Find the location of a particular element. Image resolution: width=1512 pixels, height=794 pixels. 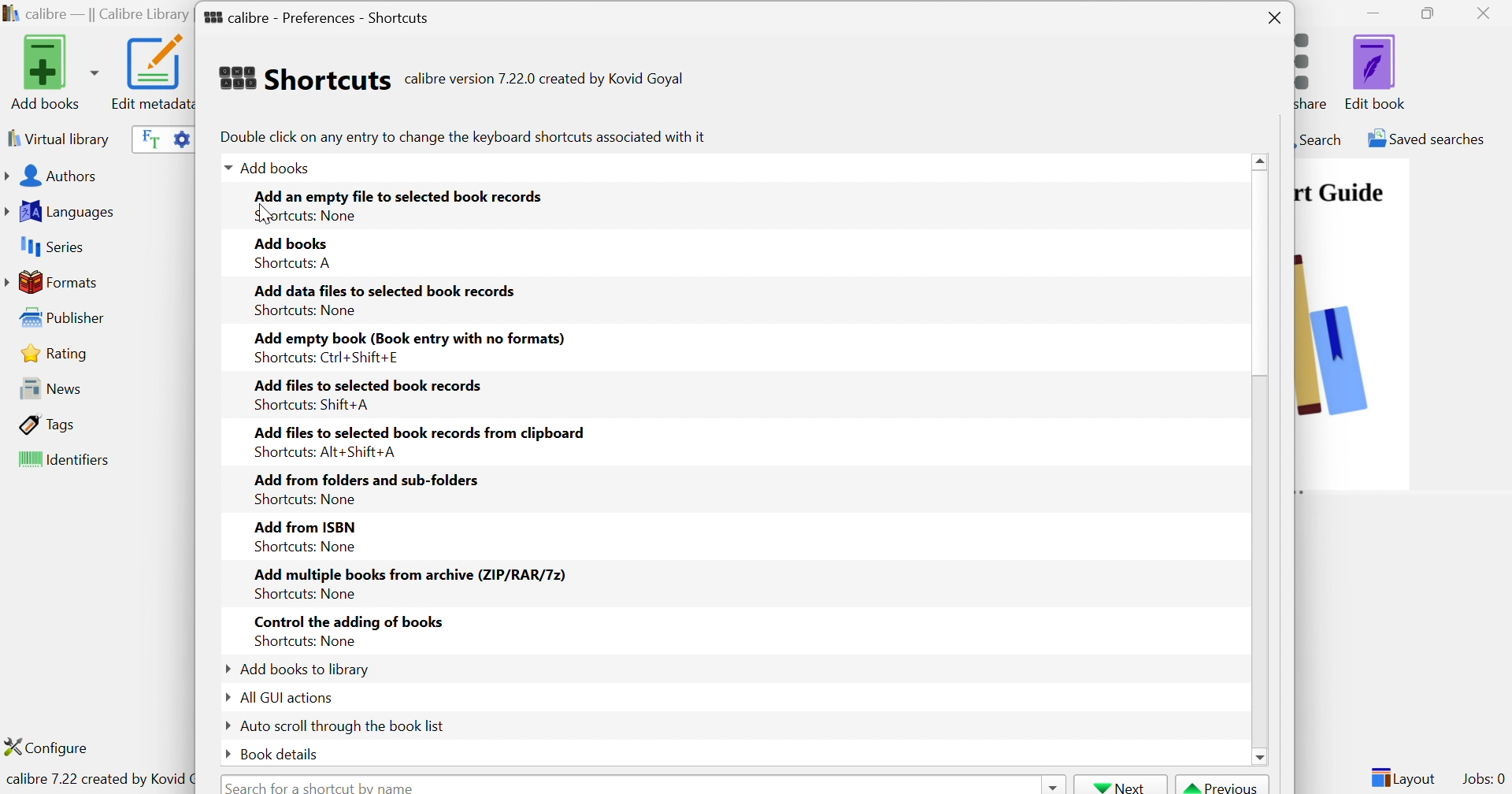

Identifiers is located at coordinates (67, 461).